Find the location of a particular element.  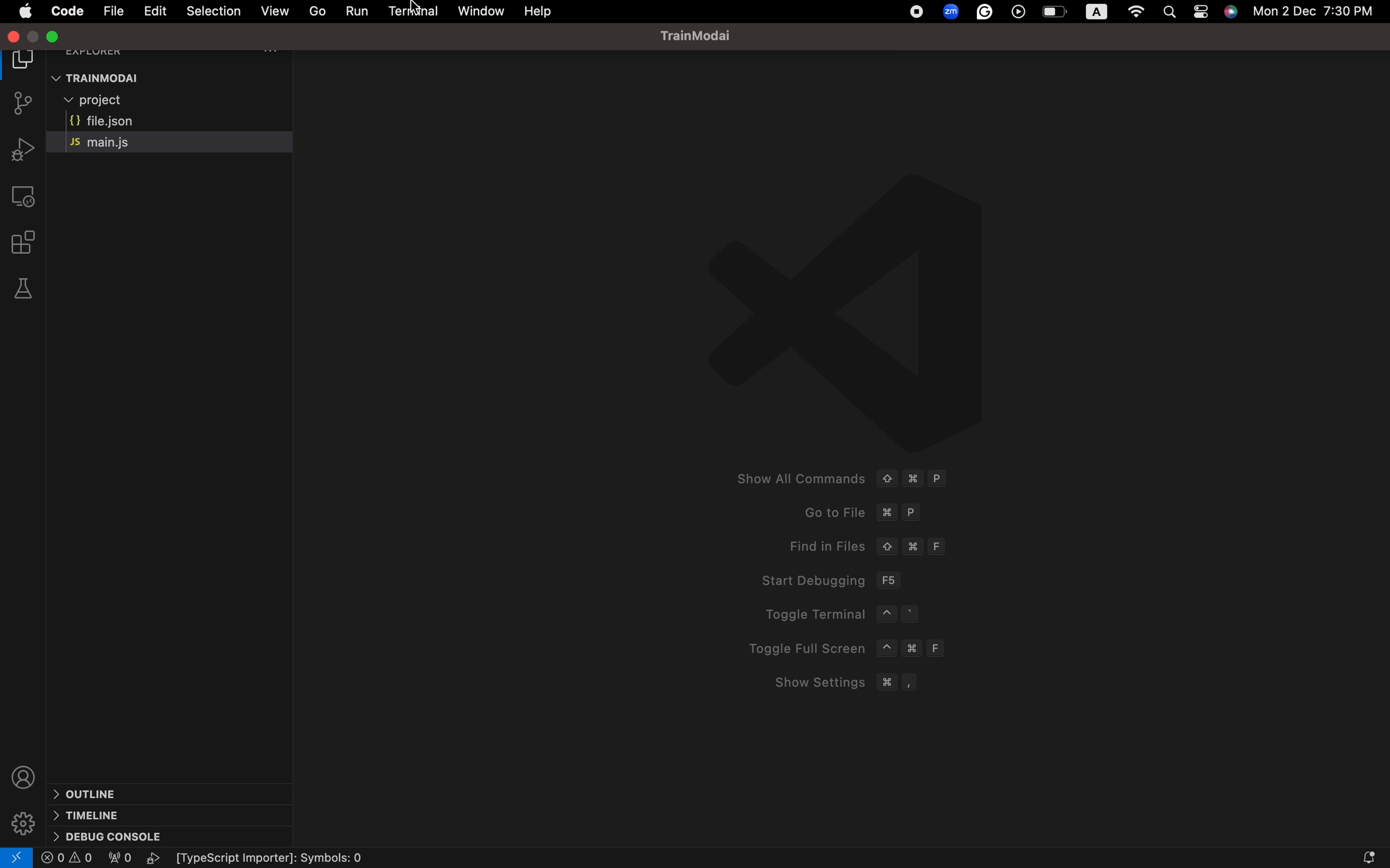

minimize is located at coordinates (57, 36).